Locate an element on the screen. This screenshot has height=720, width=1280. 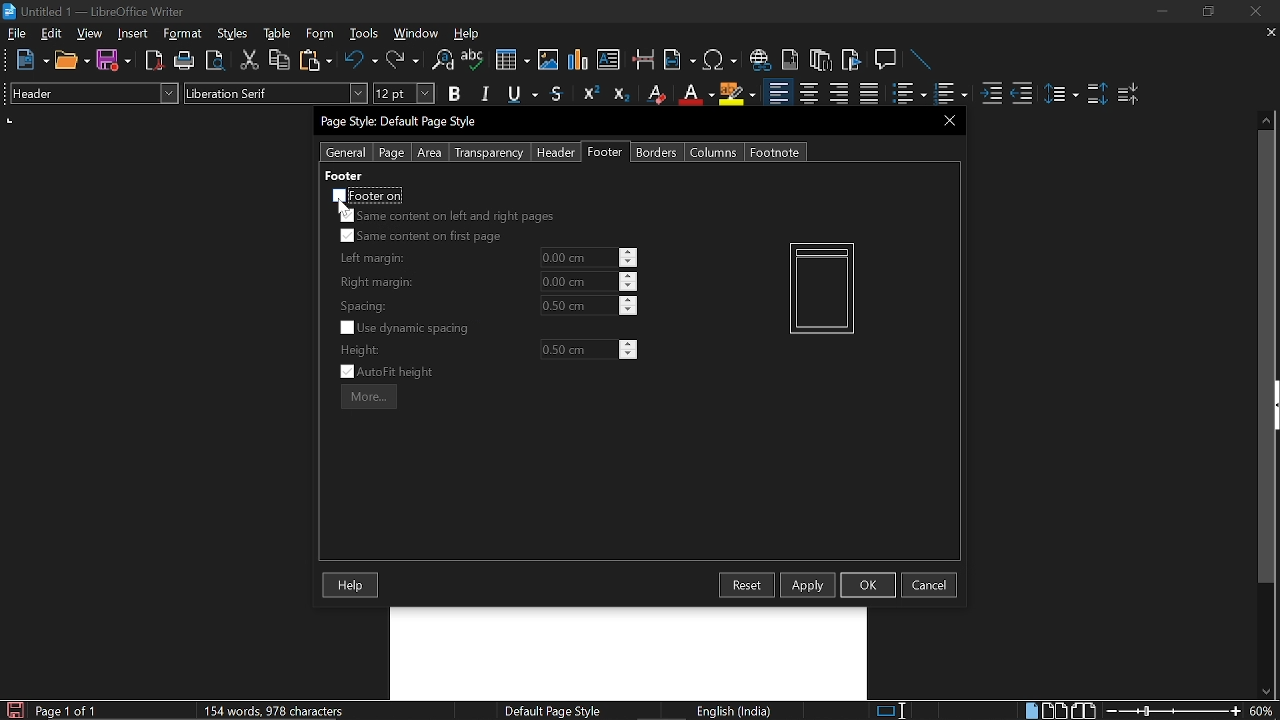
Insert is located at coordinates (137, 33).